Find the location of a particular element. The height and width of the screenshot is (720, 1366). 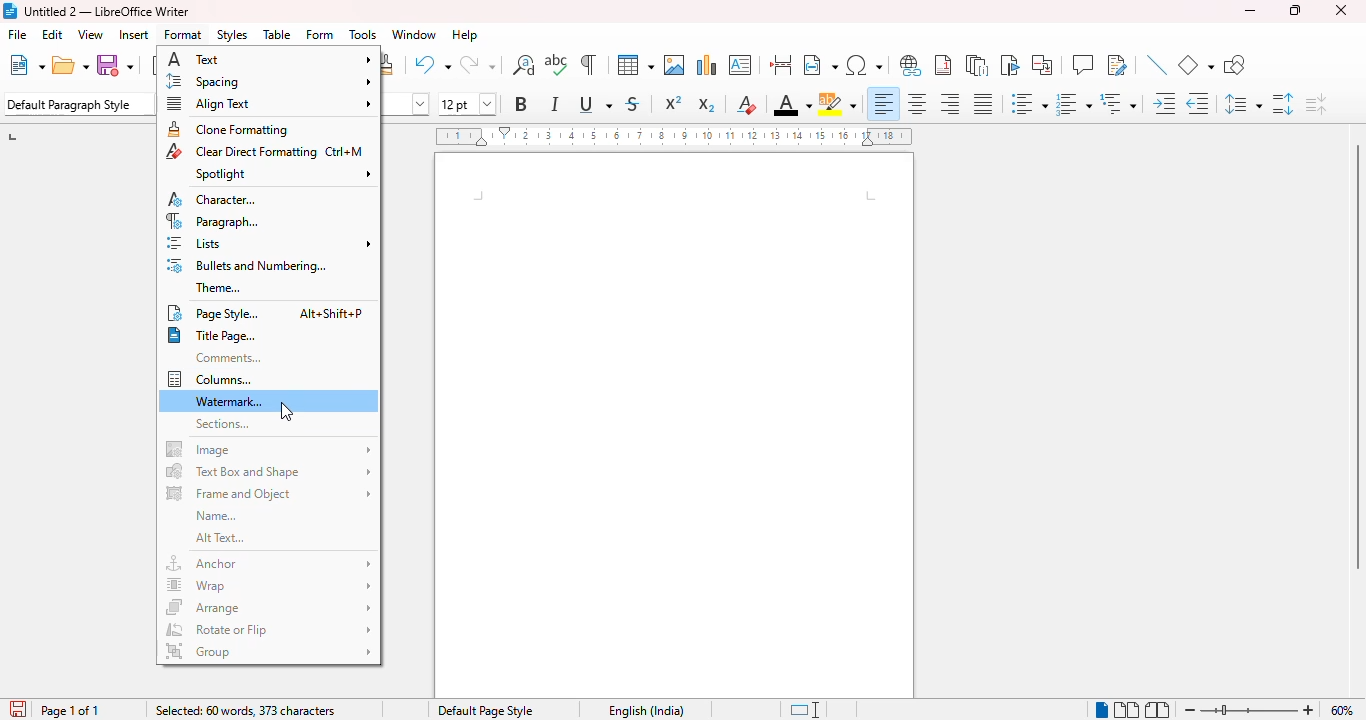

insert image is located at coordinates (674, 65).